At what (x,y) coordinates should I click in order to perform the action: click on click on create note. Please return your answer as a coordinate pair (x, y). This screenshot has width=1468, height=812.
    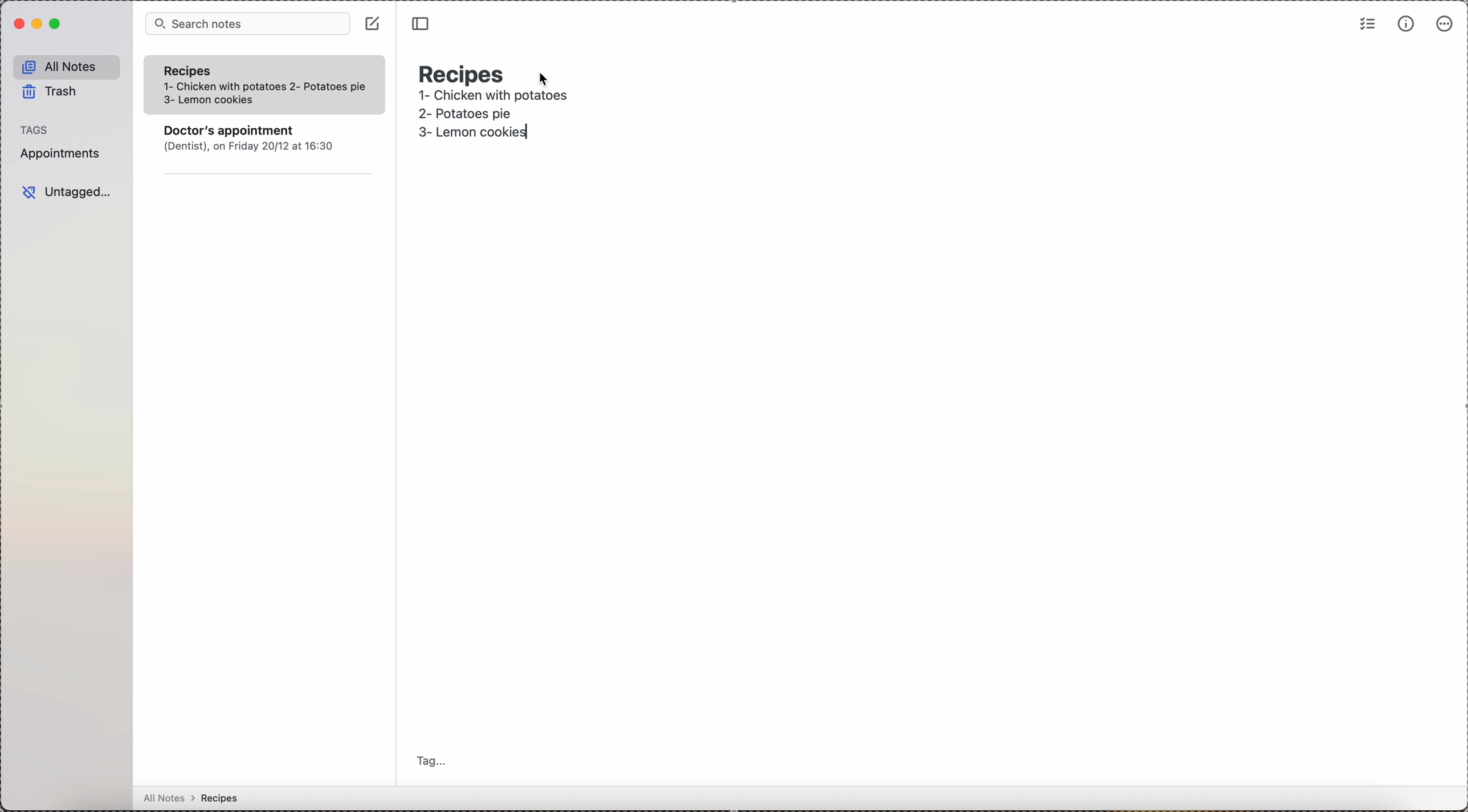
    Looking at the image, I should click on (372, 24).